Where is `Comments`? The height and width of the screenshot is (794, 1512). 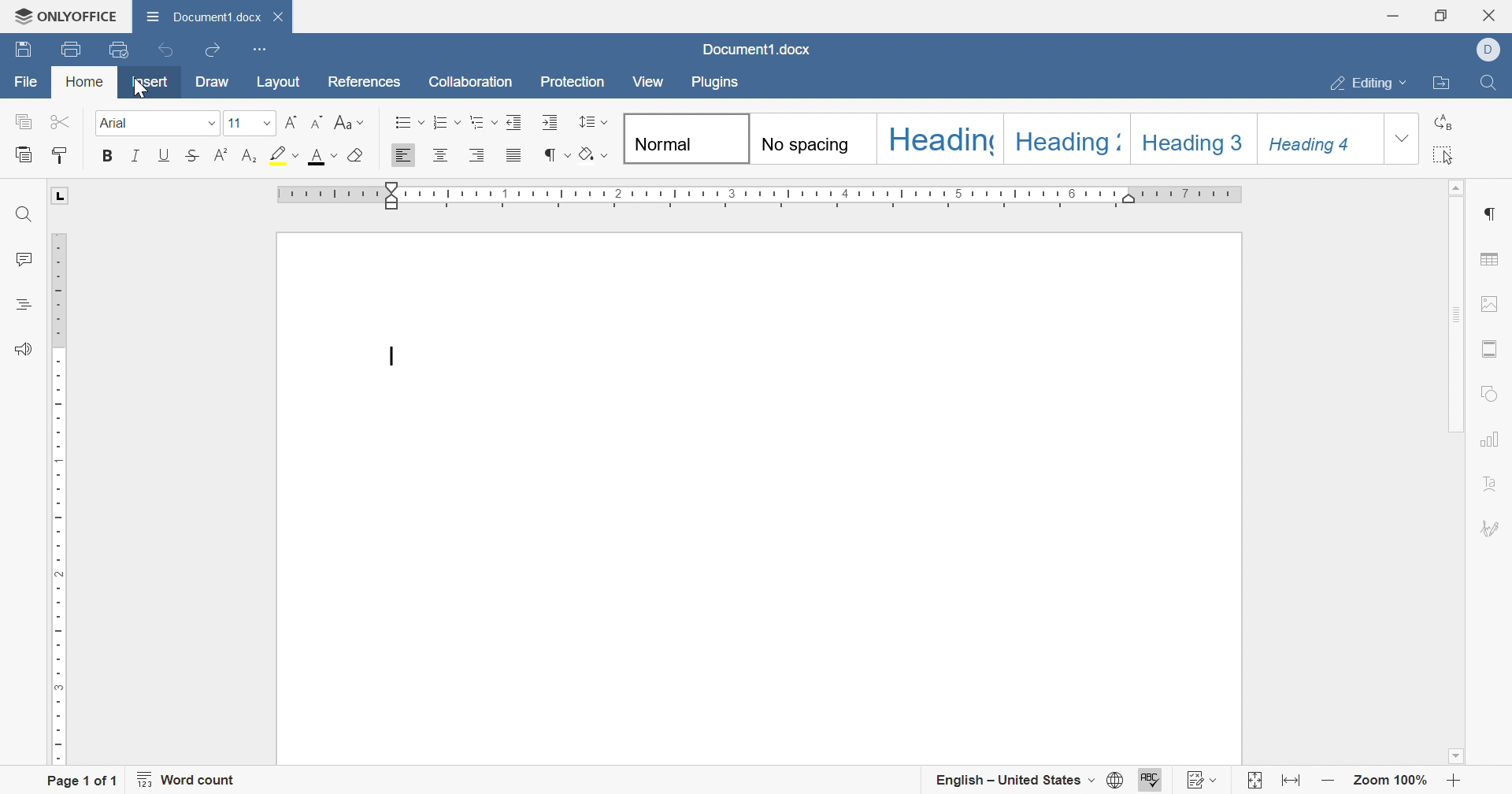
Comments is located at coordinates (23, 261).